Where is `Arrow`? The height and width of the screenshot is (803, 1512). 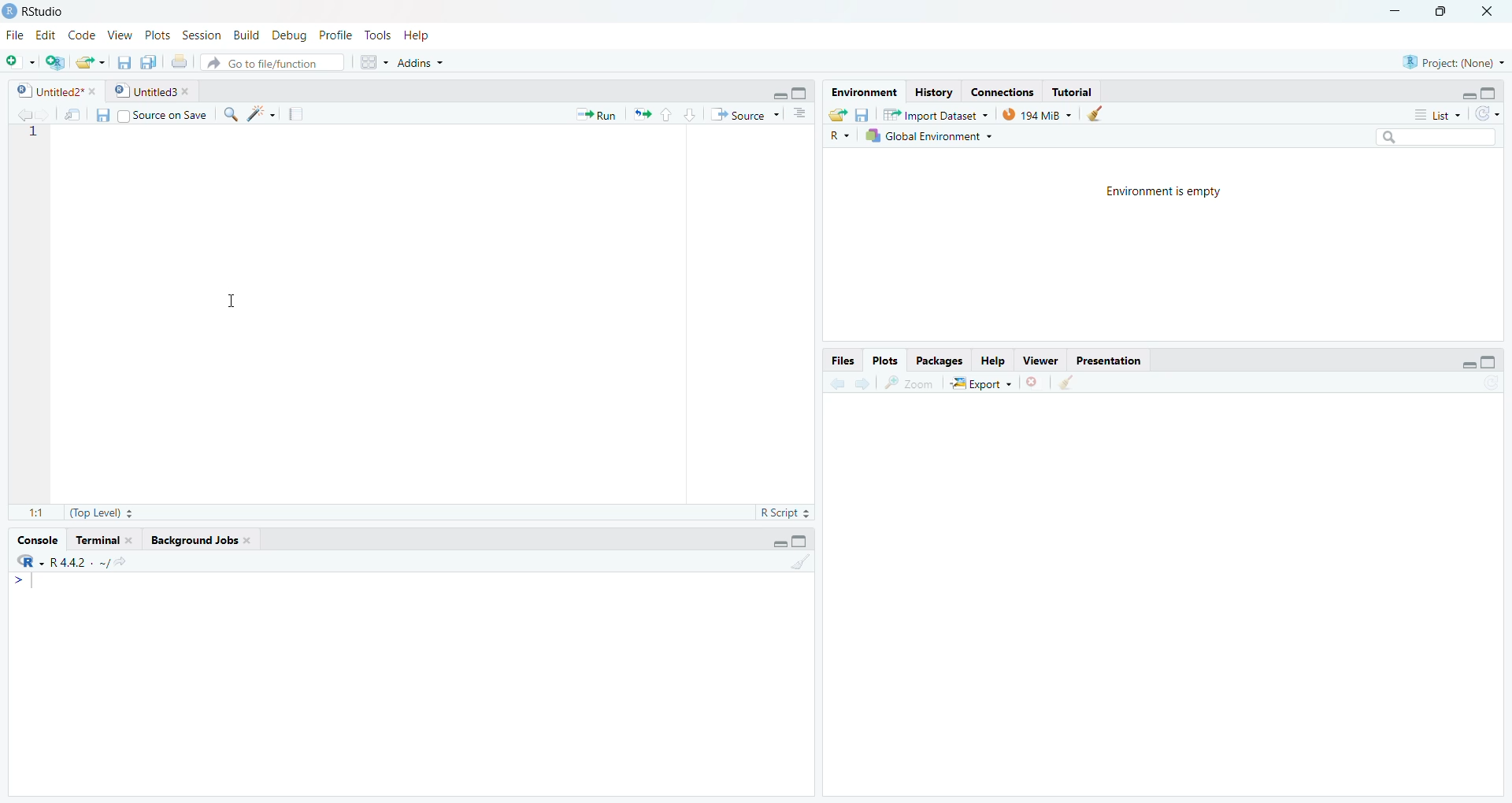 Arrow is located at coordinates (18, 583).